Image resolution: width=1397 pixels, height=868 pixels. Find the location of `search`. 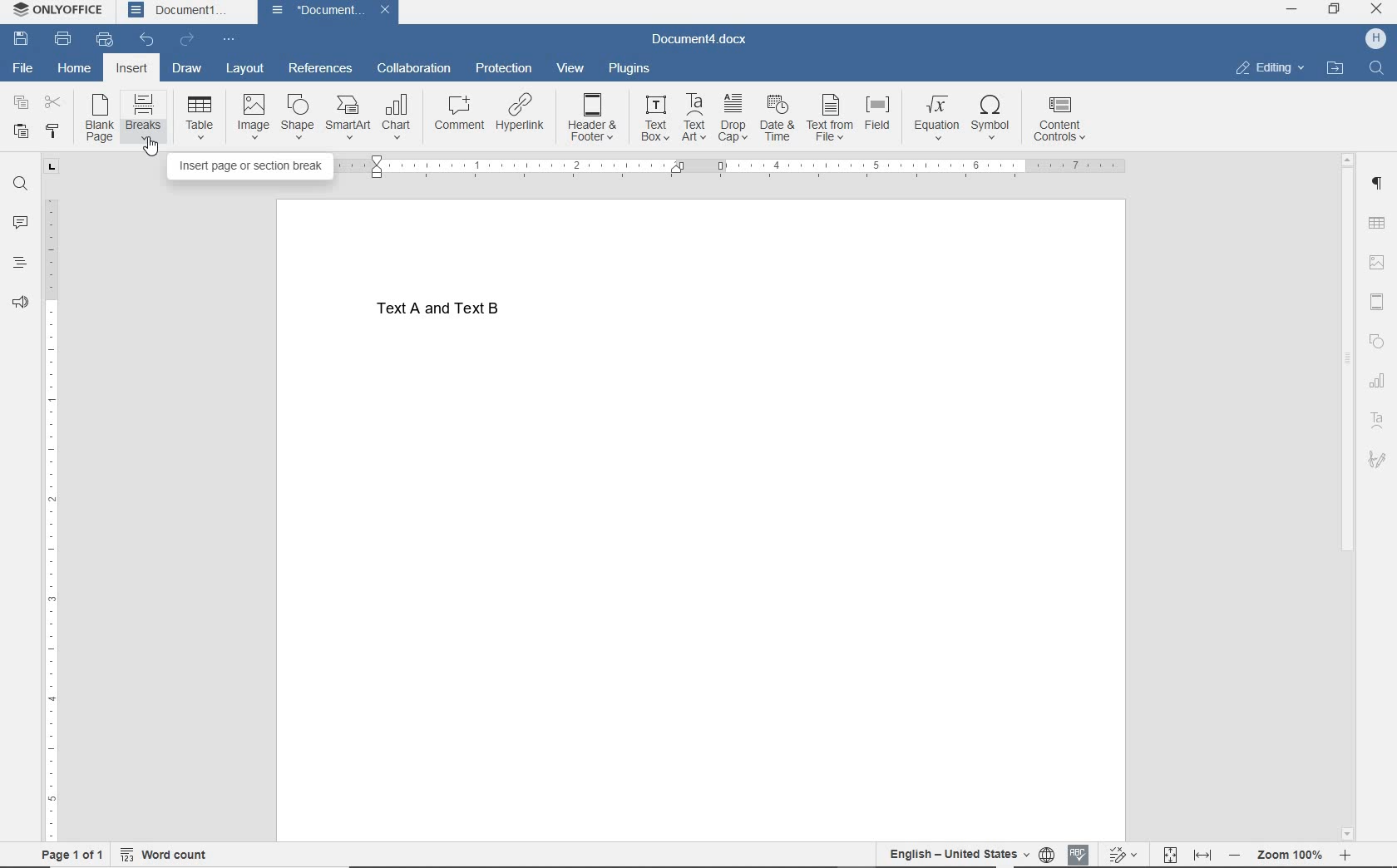

search is located at coordinates (1372, 68).